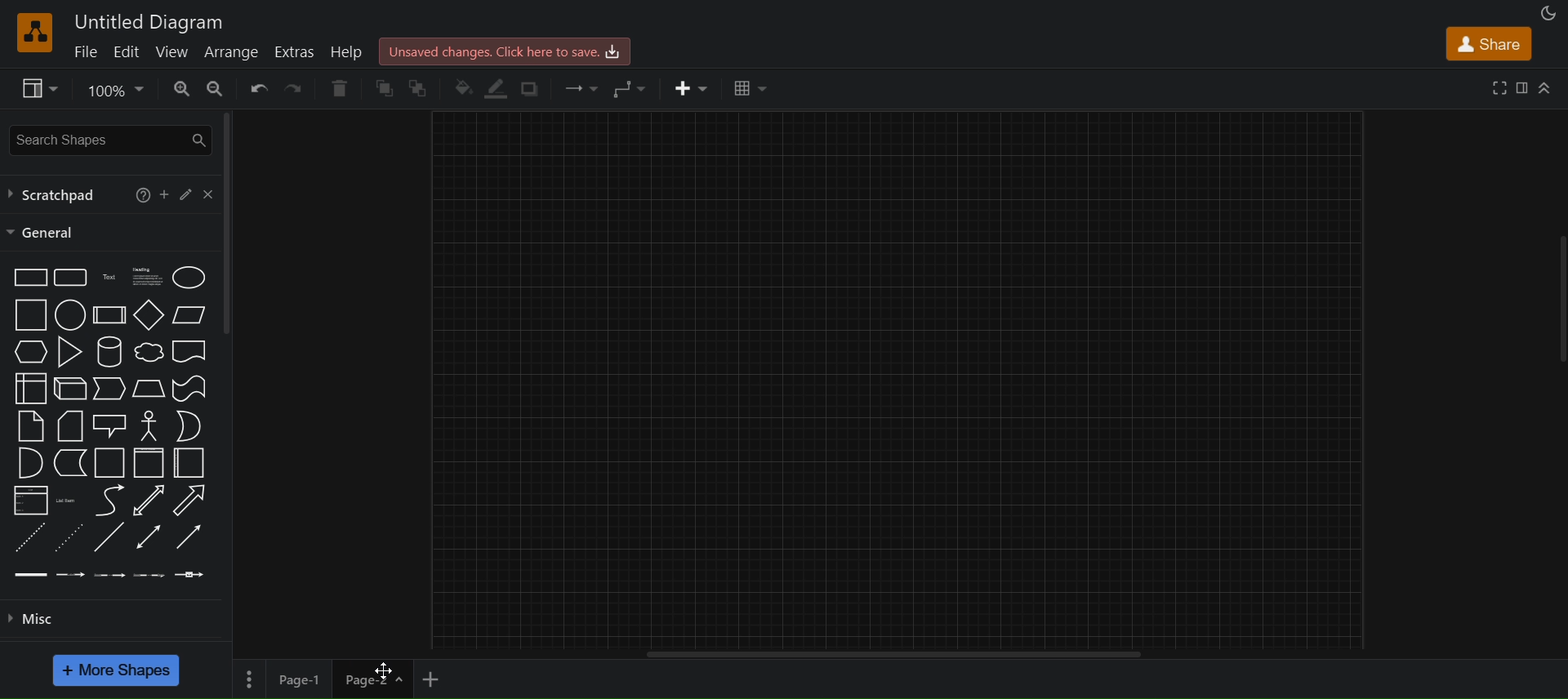 The image size is (1568, 699). I want to click on to back, so click(422, 89).